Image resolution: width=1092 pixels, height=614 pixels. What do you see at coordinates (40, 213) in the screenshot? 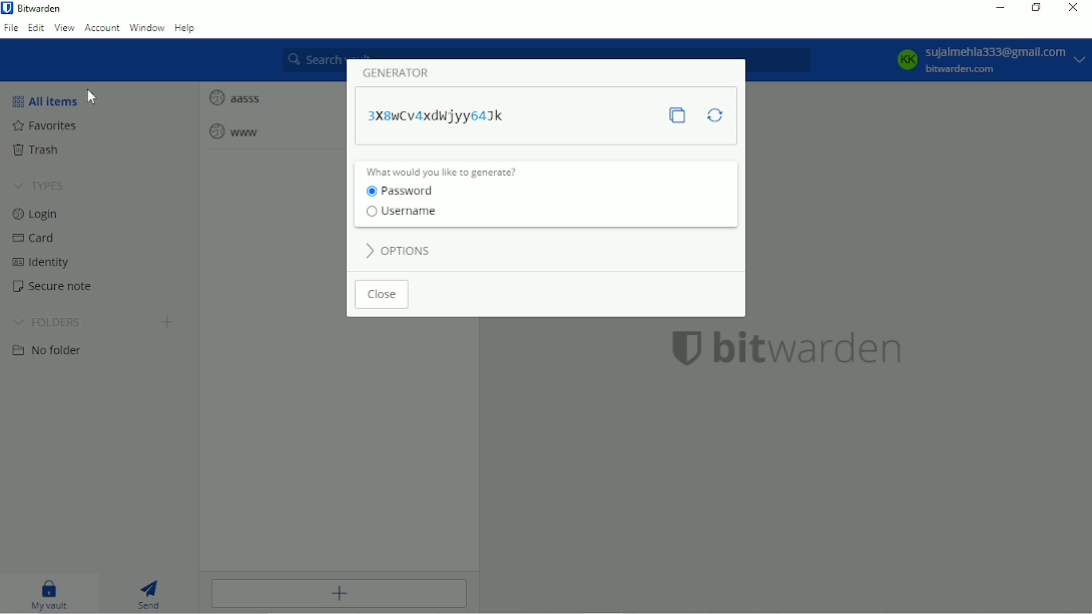
I see `Login` at bounding box center [40, 213].